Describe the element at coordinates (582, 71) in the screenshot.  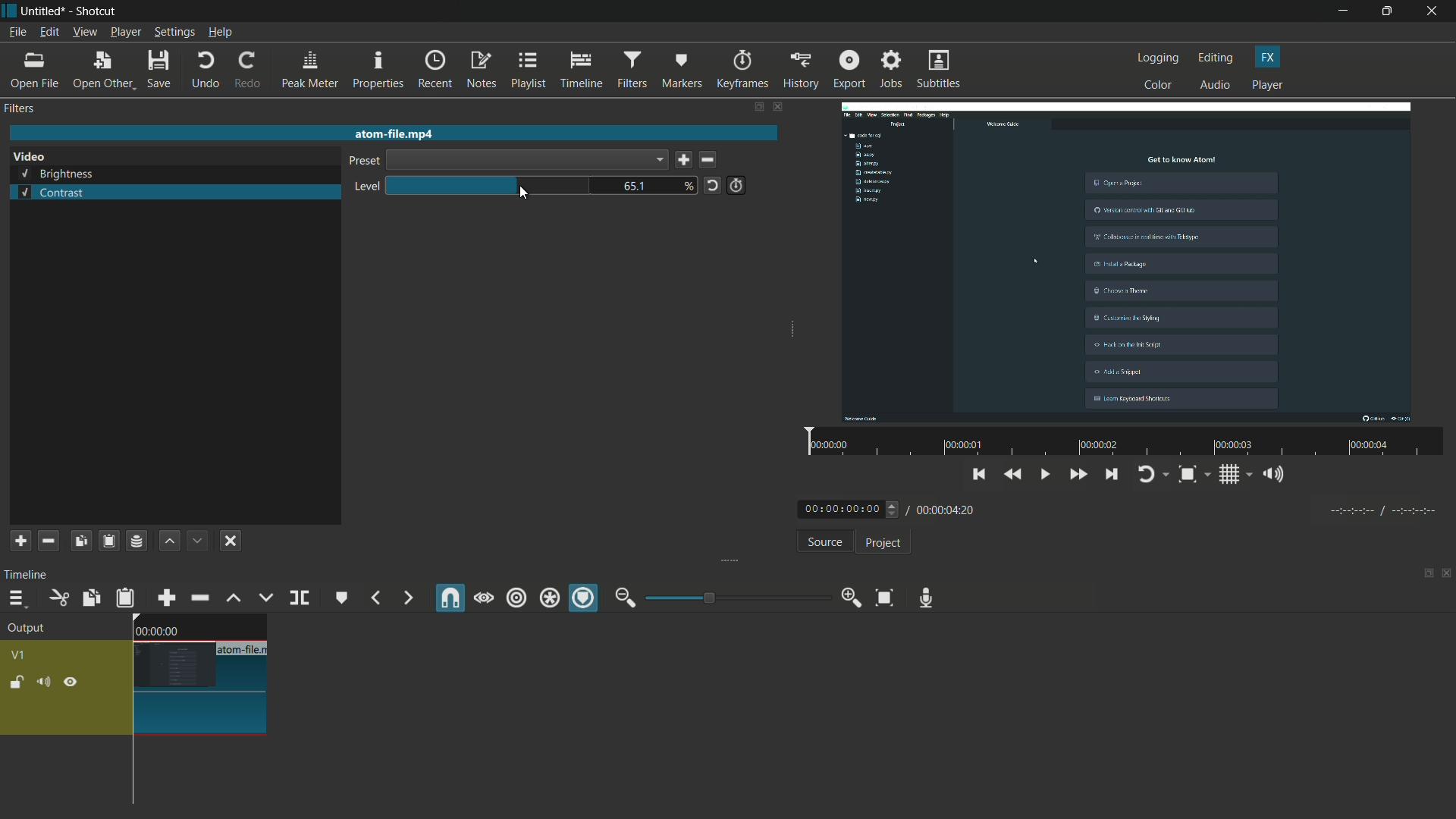
I see `timeline` at that location.